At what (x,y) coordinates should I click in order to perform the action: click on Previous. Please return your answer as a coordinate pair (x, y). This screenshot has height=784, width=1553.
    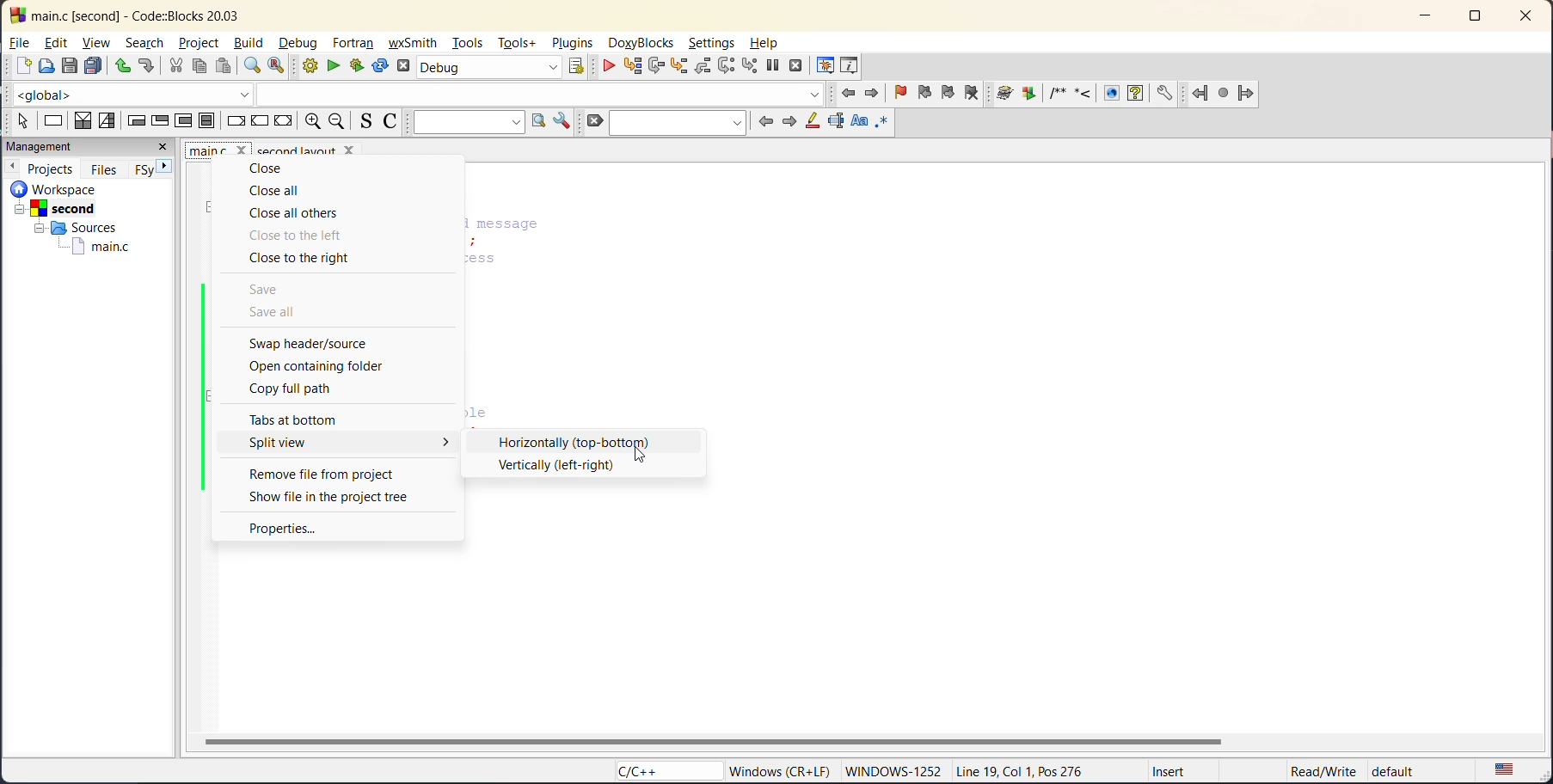
    Looking at the image, I should click on (15, 165).